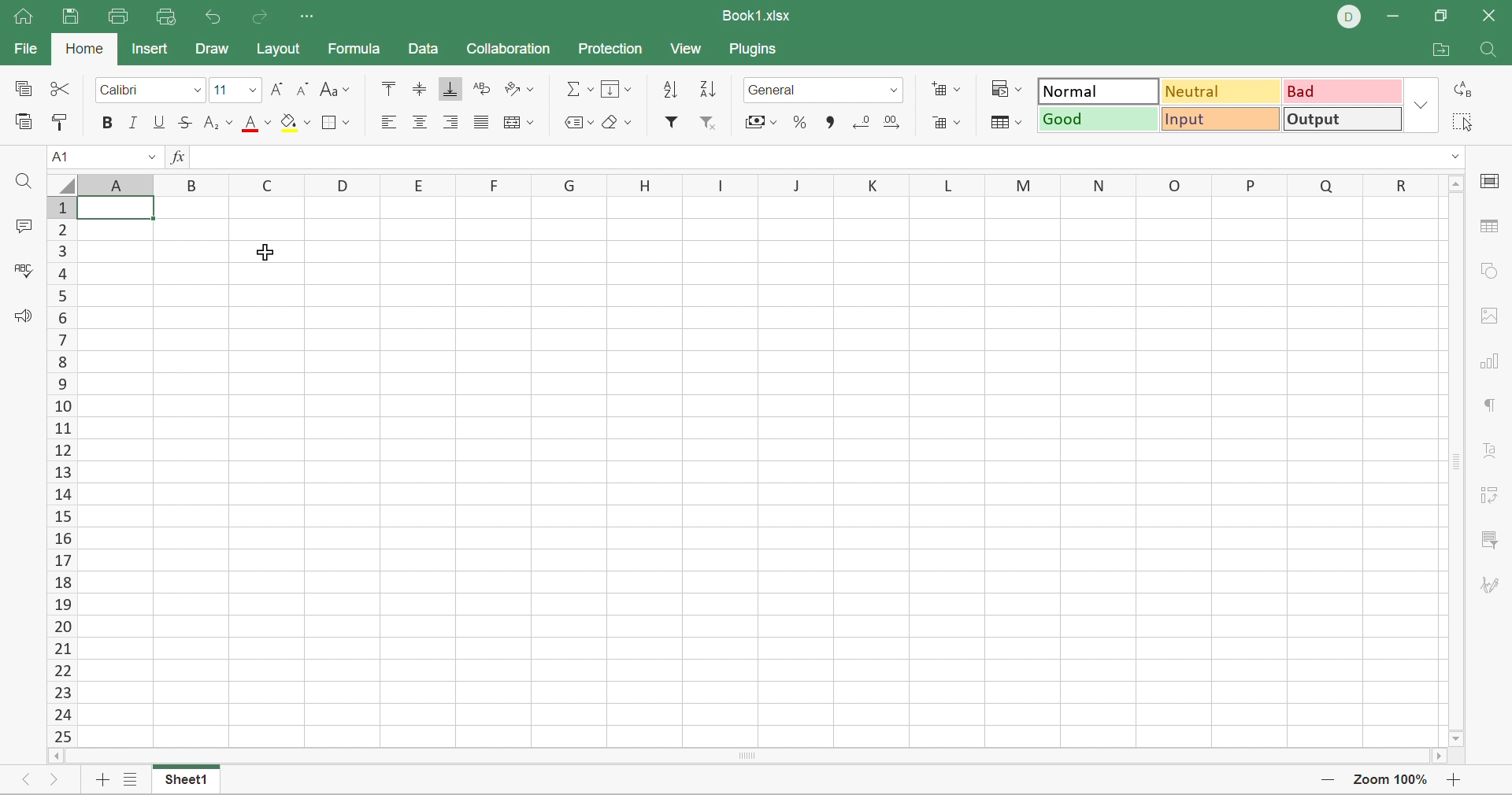  I want to click on Increase decimal, so click(894, 120).